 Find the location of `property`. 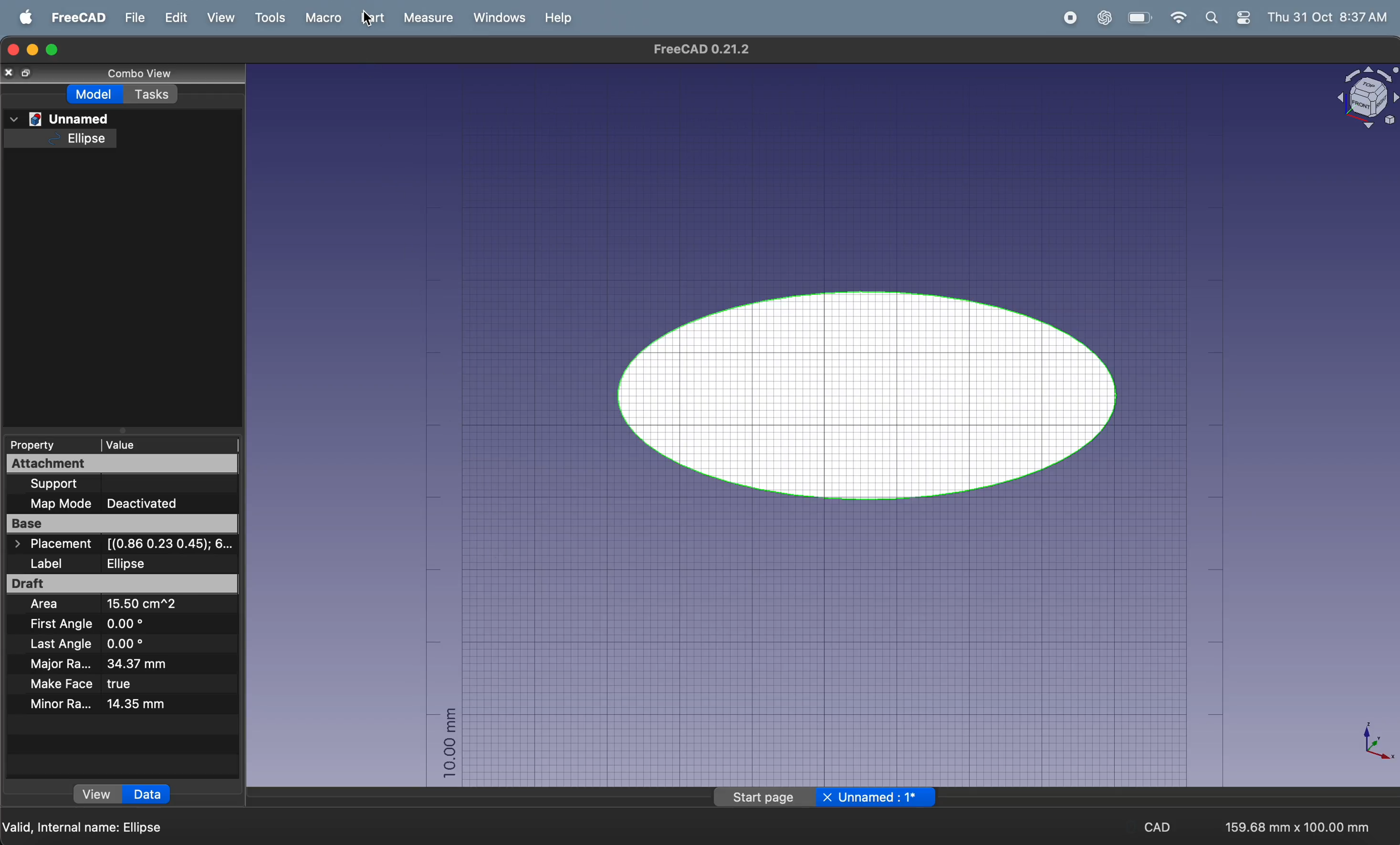

property is located at coordinates (35, 445).